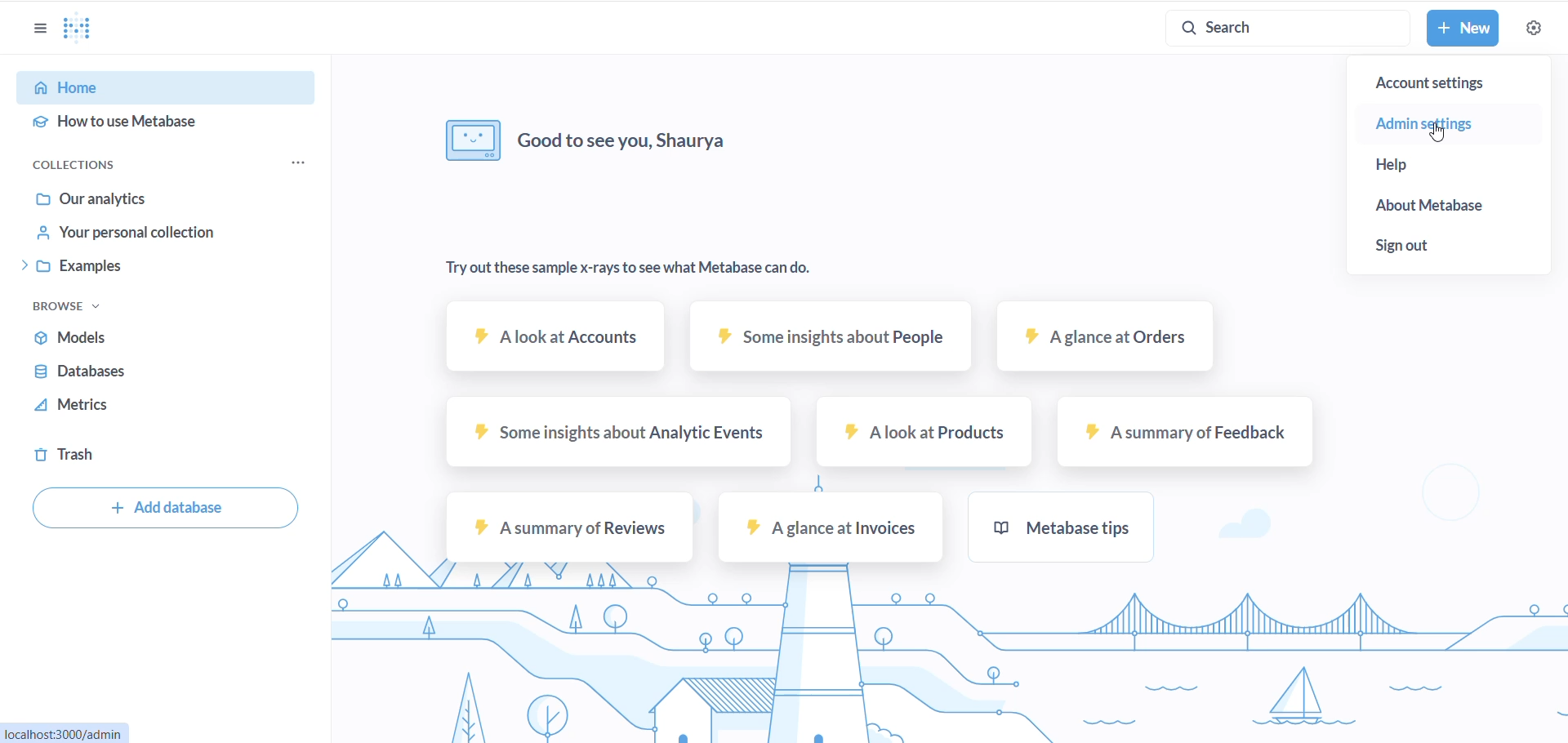 This screenshot has width=1568, height=743. I want to click on COLLECTION OPTIONS, so click(293, 162).